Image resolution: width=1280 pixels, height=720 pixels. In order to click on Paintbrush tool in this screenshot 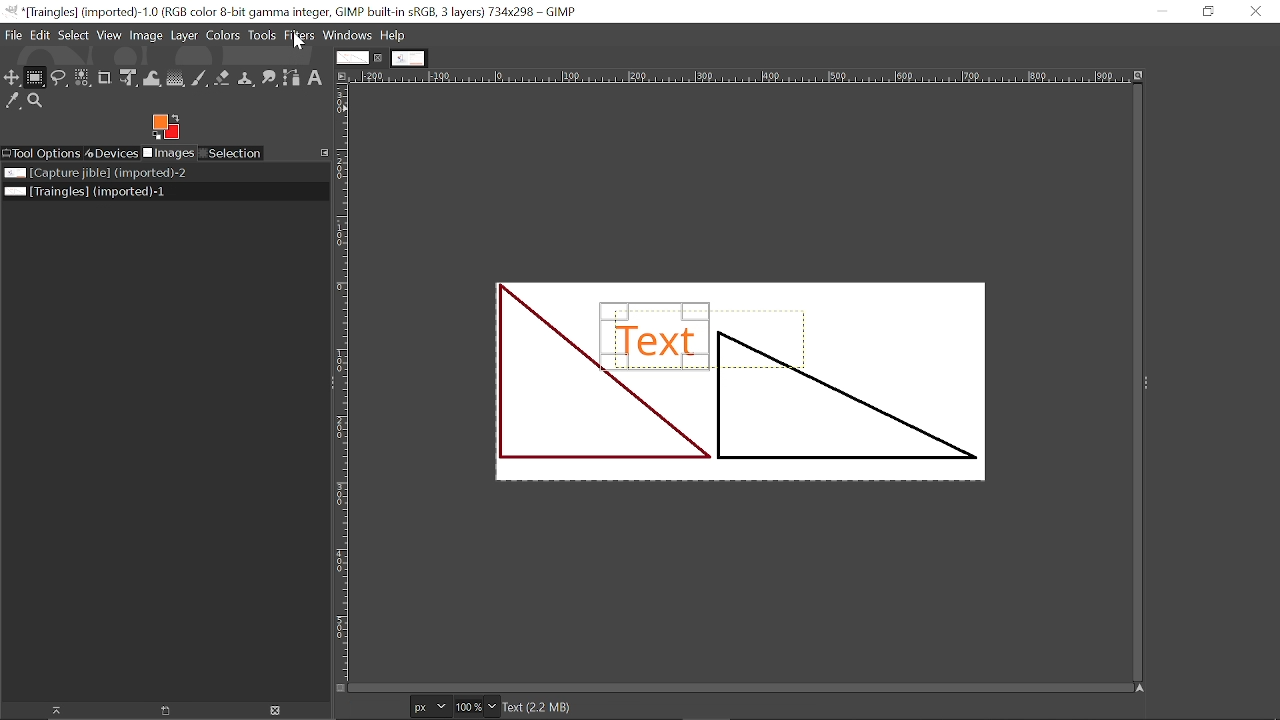, I will do `click(201, 79)`.